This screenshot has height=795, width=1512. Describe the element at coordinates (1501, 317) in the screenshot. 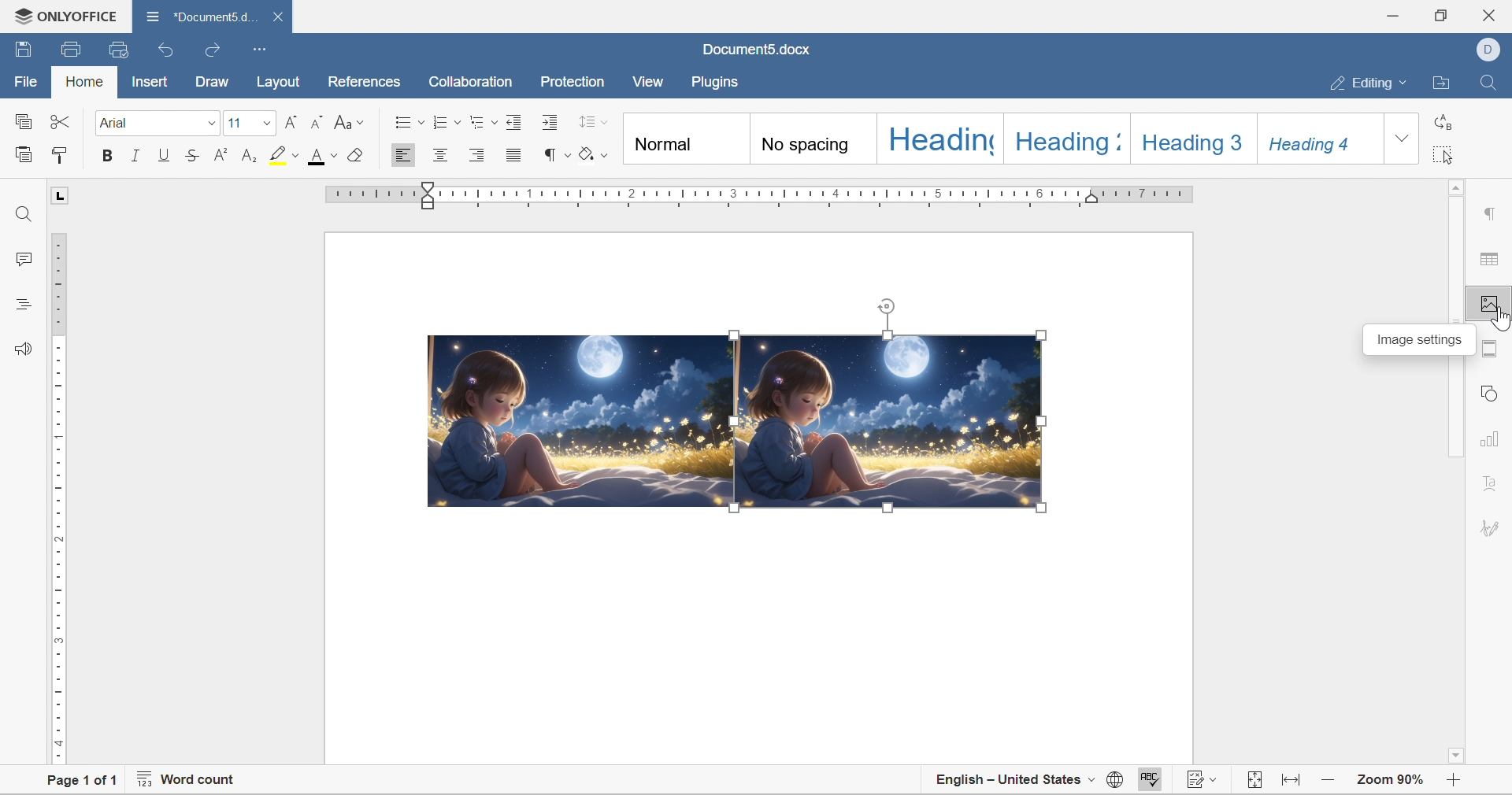

I see `image settings` at that location.